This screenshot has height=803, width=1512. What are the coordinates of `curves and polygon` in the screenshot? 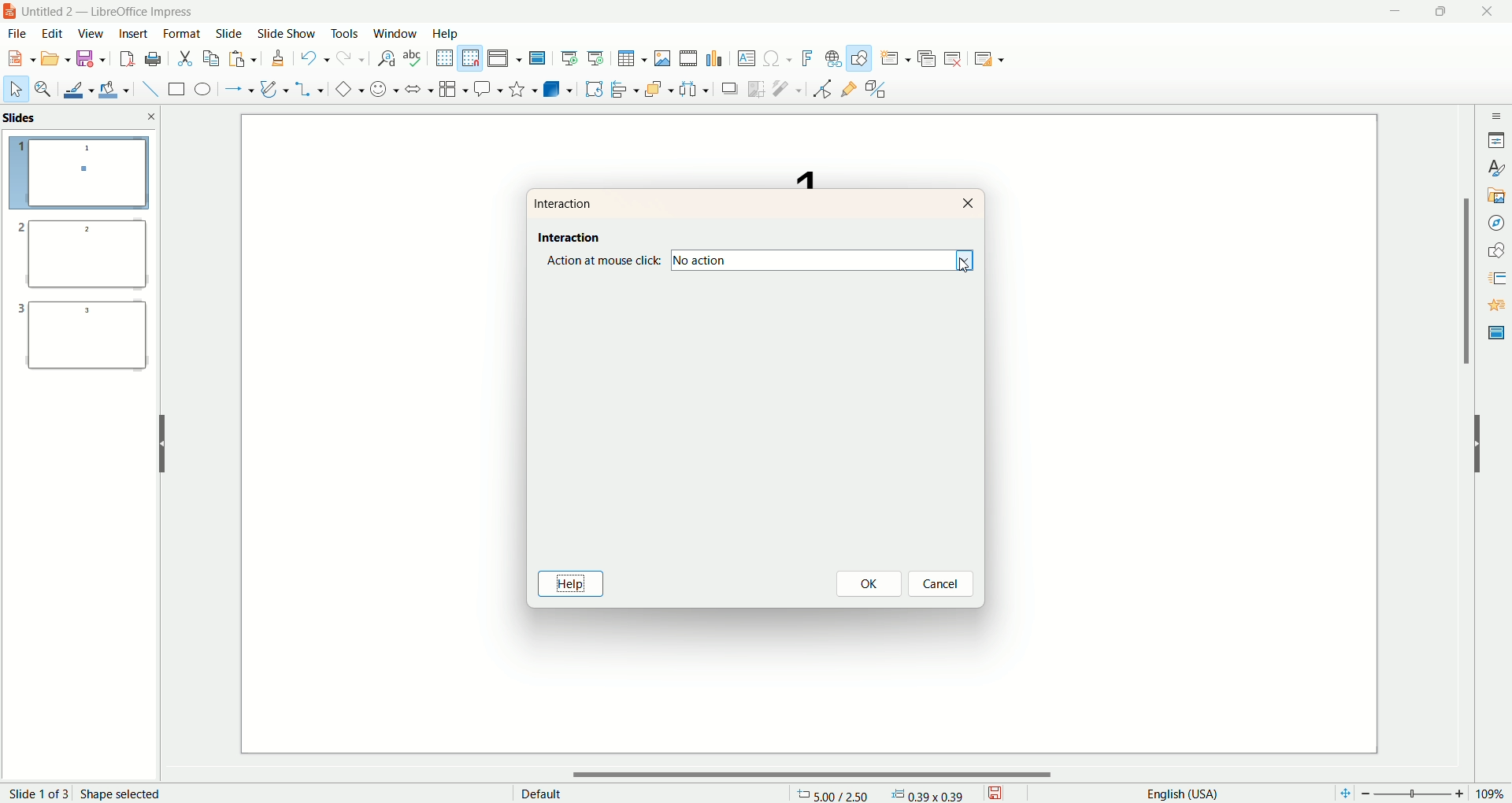 It's located at (272, 87).